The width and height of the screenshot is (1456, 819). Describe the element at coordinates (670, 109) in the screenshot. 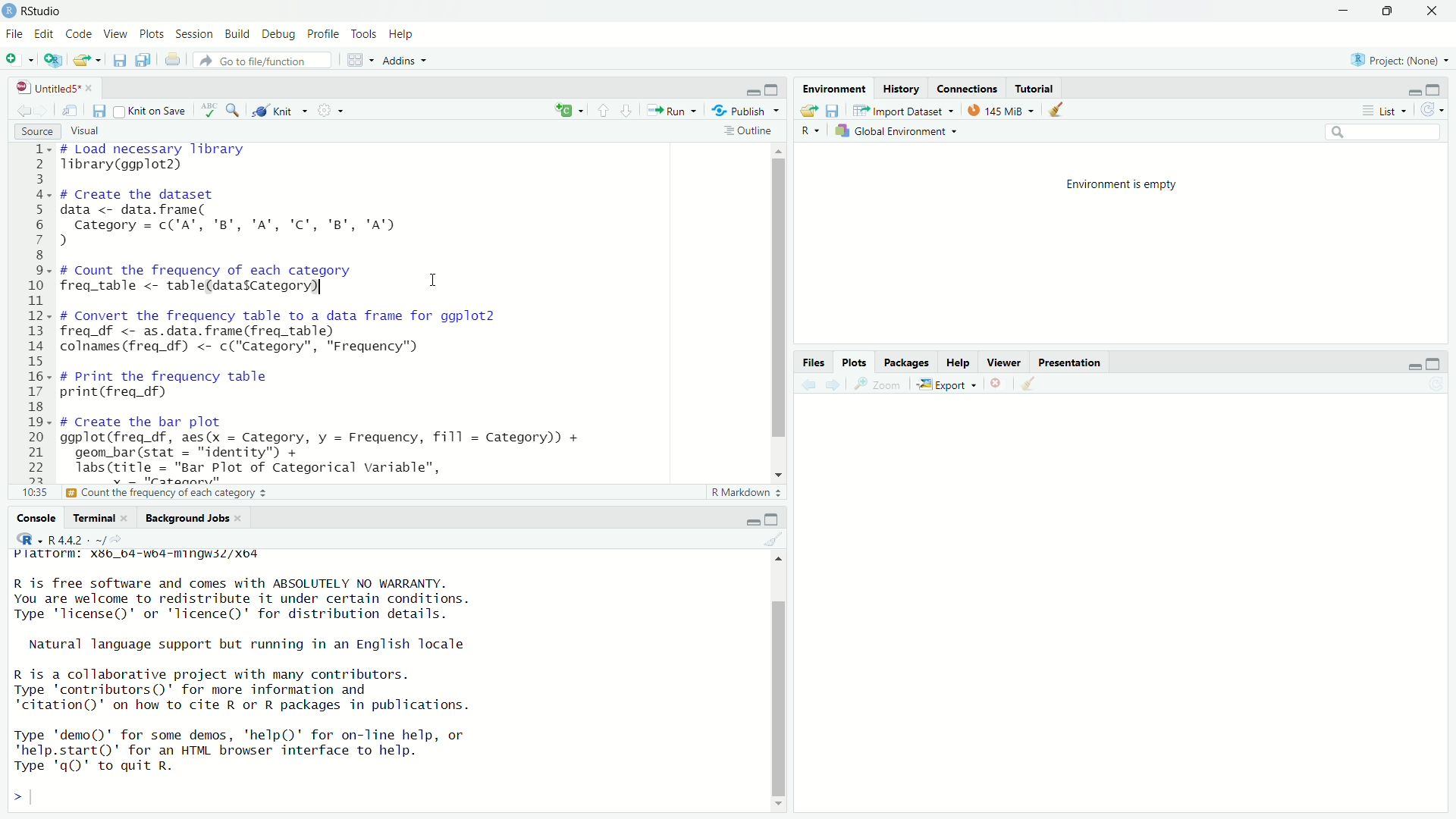

I see `run current file` at that location.